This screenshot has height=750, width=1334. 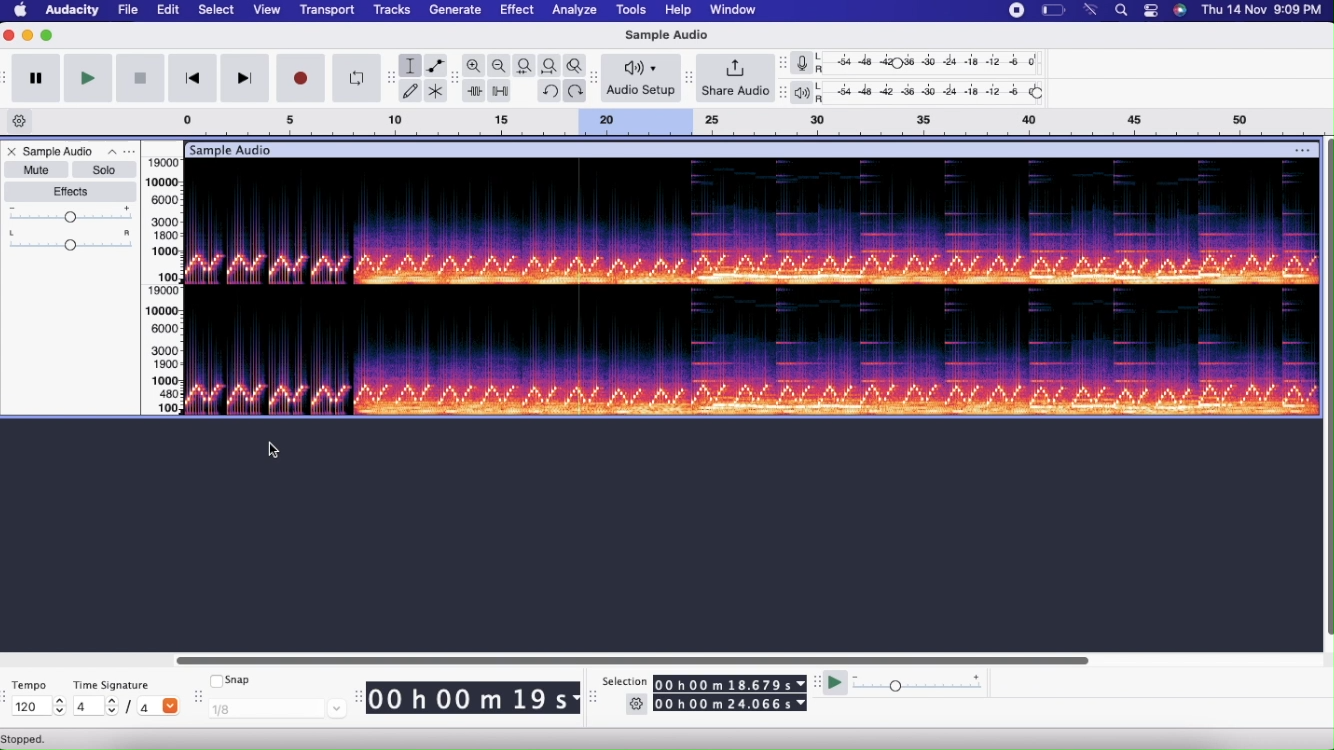 I want to click on Sample Audio, so click(x=667, y=38).